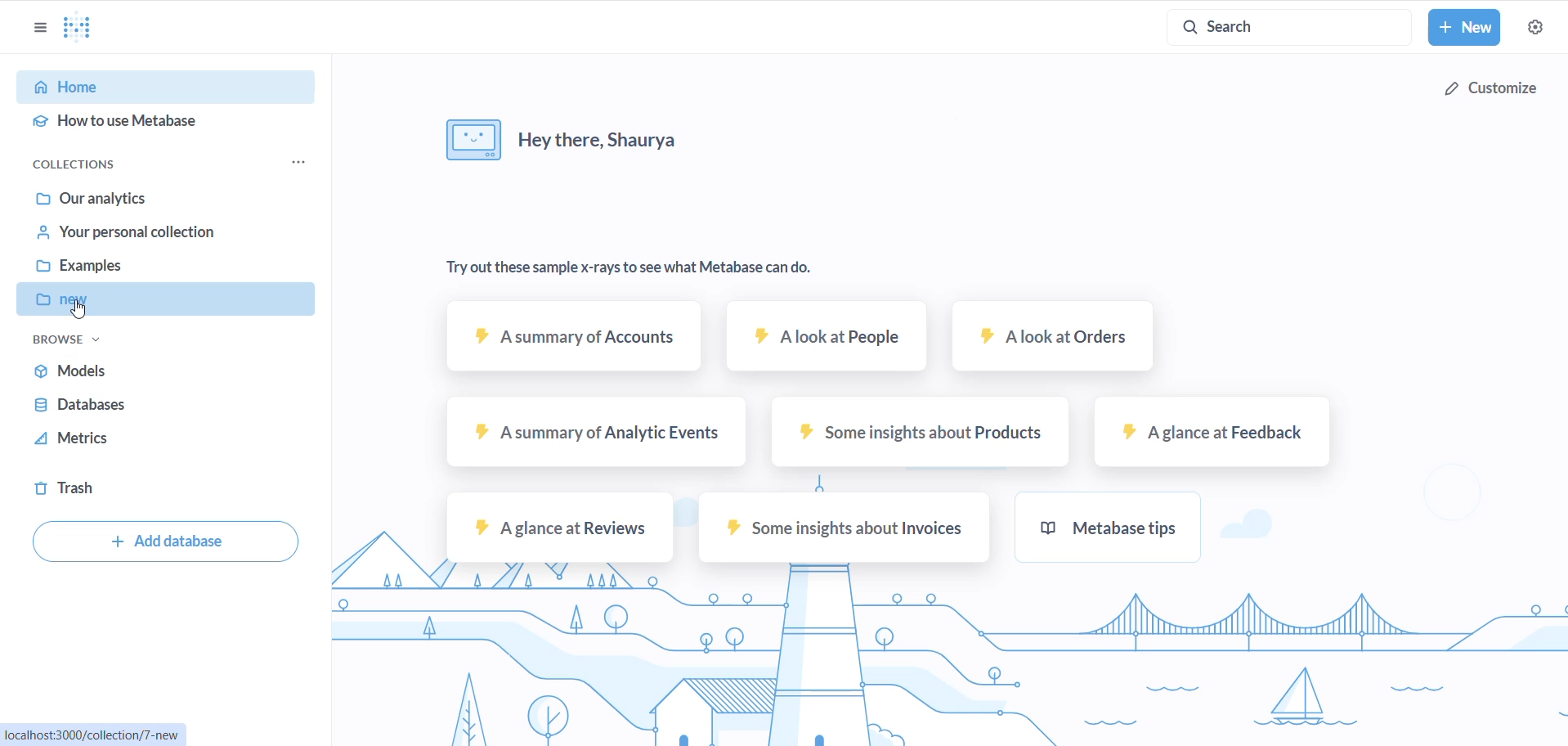 The height and width of the screenshot is (746, 1568). Describe the element at coordinates (80, 490) in the screenshot. I see `trash` at that location.